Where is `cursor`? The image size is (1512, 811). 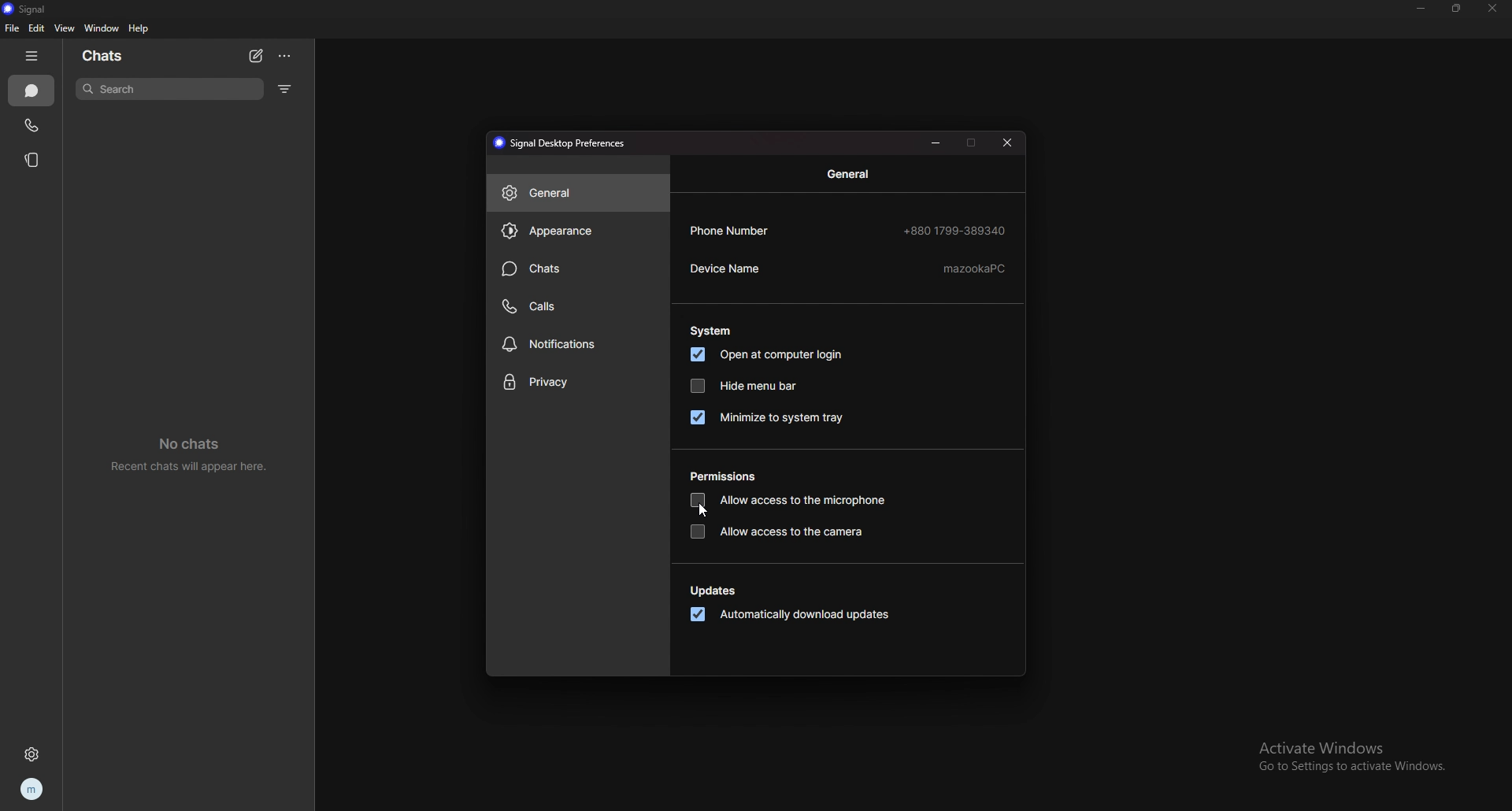 cursor is located at coordinates (705, 513).